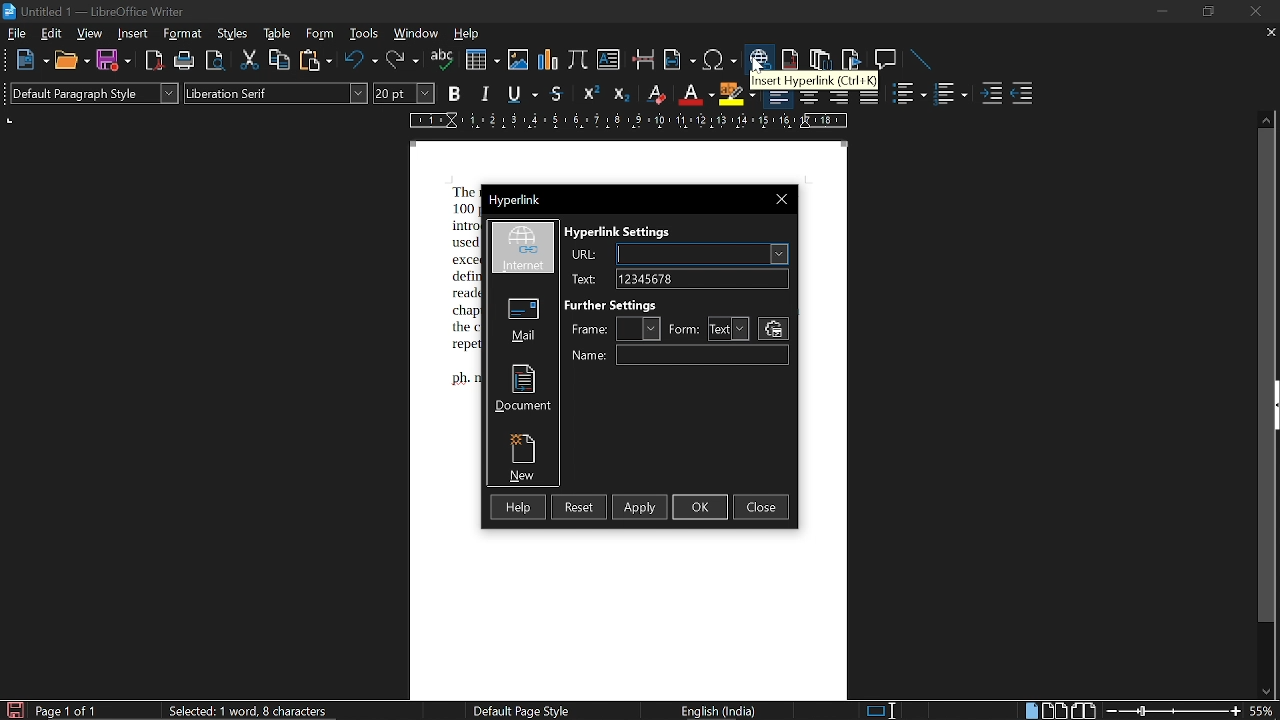  What do you see at coordinates (777, 95) in the screenshot?
I see `align left` at bounding box center [777, 95].